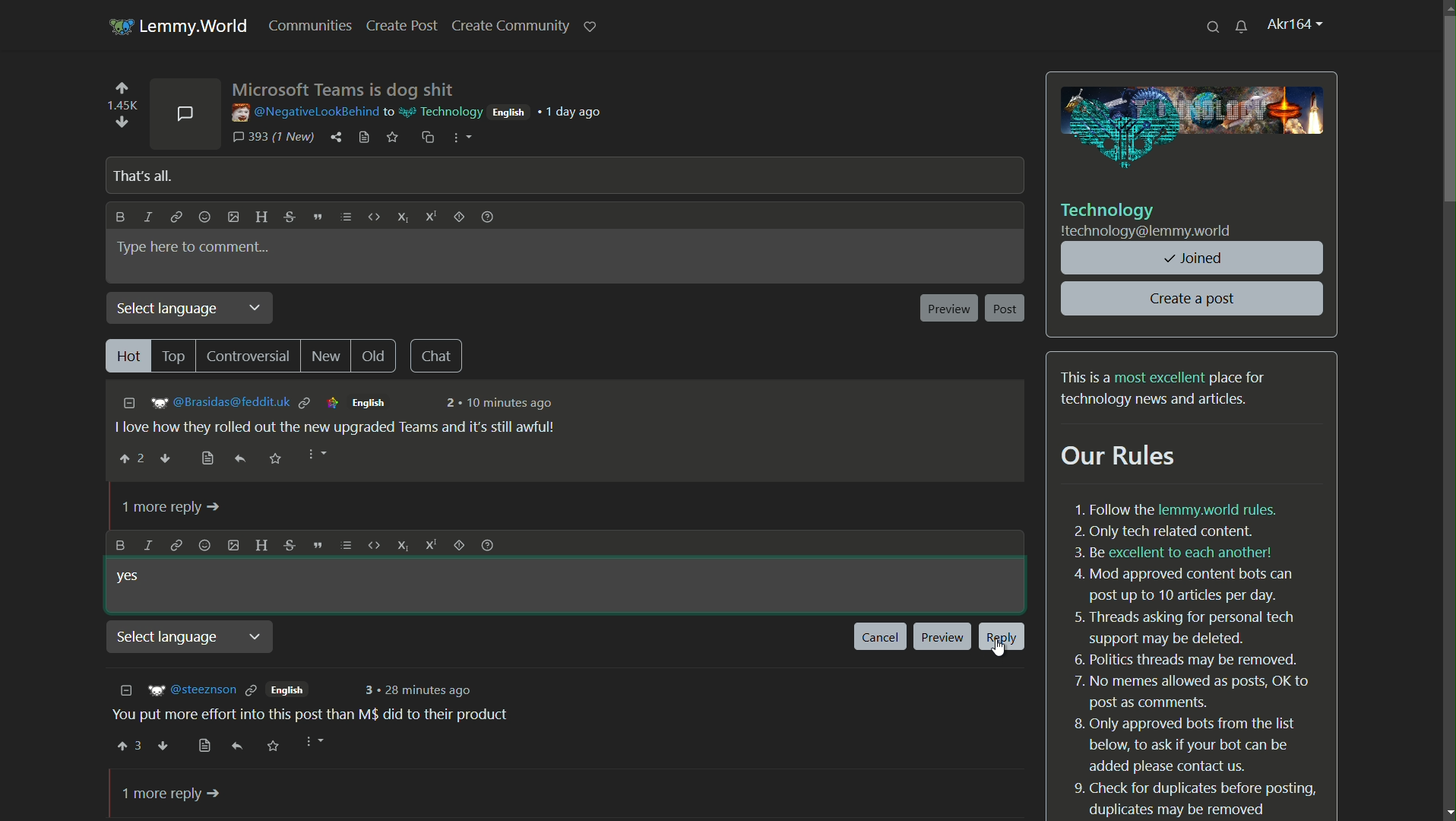  What do you see at coordinates (1449, 125) in the screenshot?
I see `scroll bar` at bounding box center [1449, 125].